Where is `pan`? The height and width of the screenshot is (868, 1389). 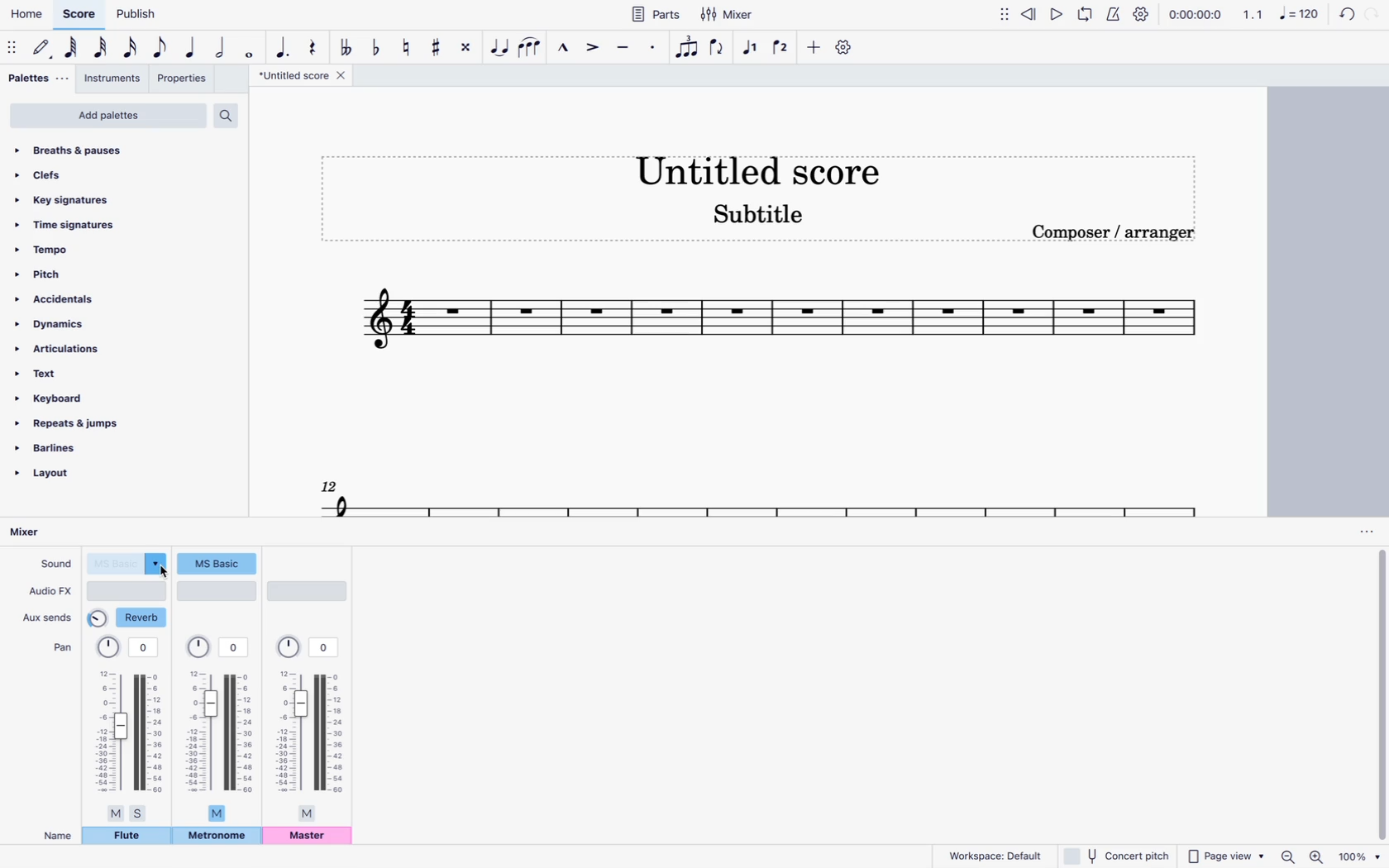 pan is located at coordinates (308, 728).